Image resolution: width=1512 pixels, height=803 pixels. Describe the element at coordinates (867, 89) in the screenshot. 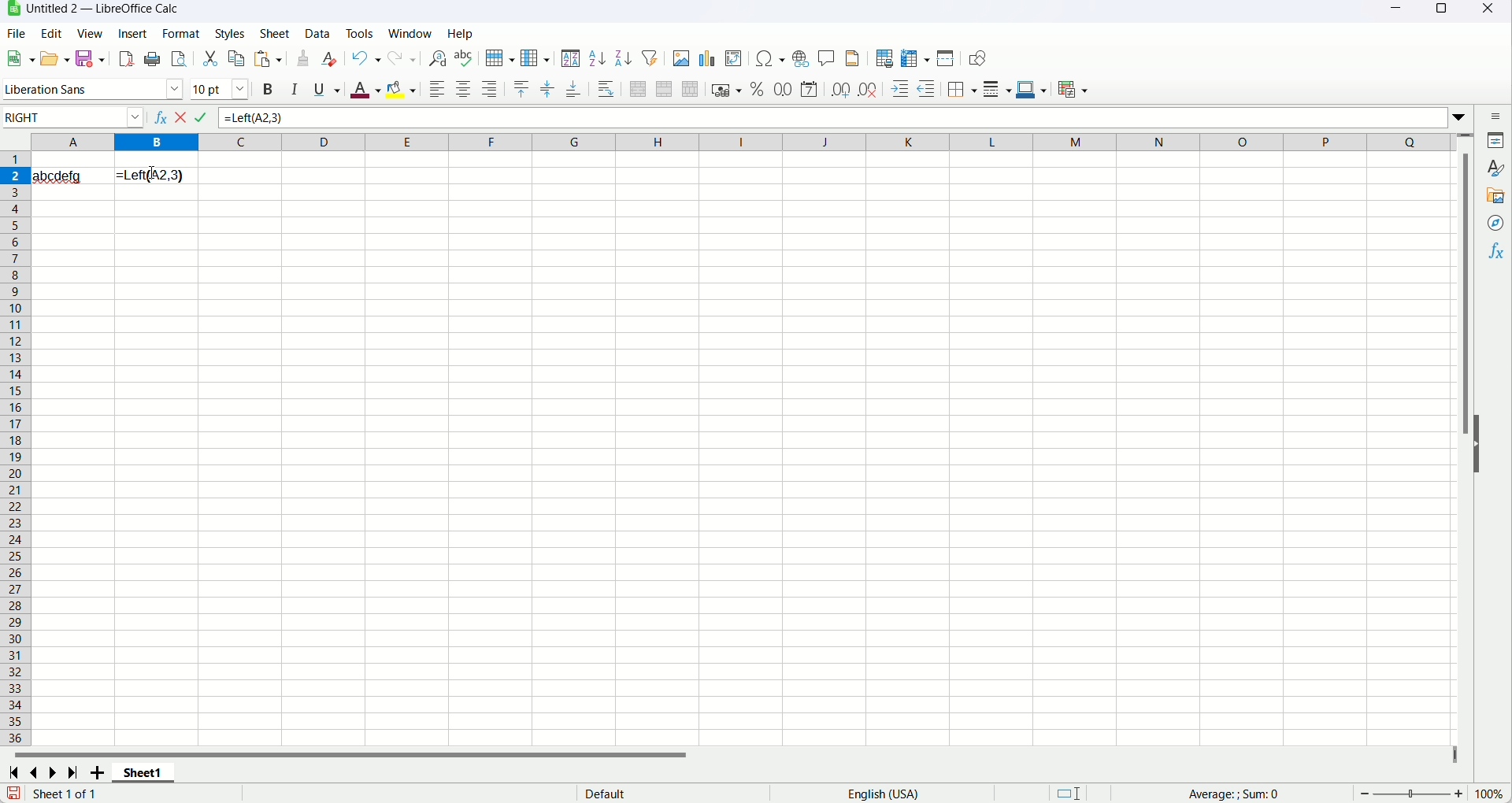

I see `delete decimal` at that location.